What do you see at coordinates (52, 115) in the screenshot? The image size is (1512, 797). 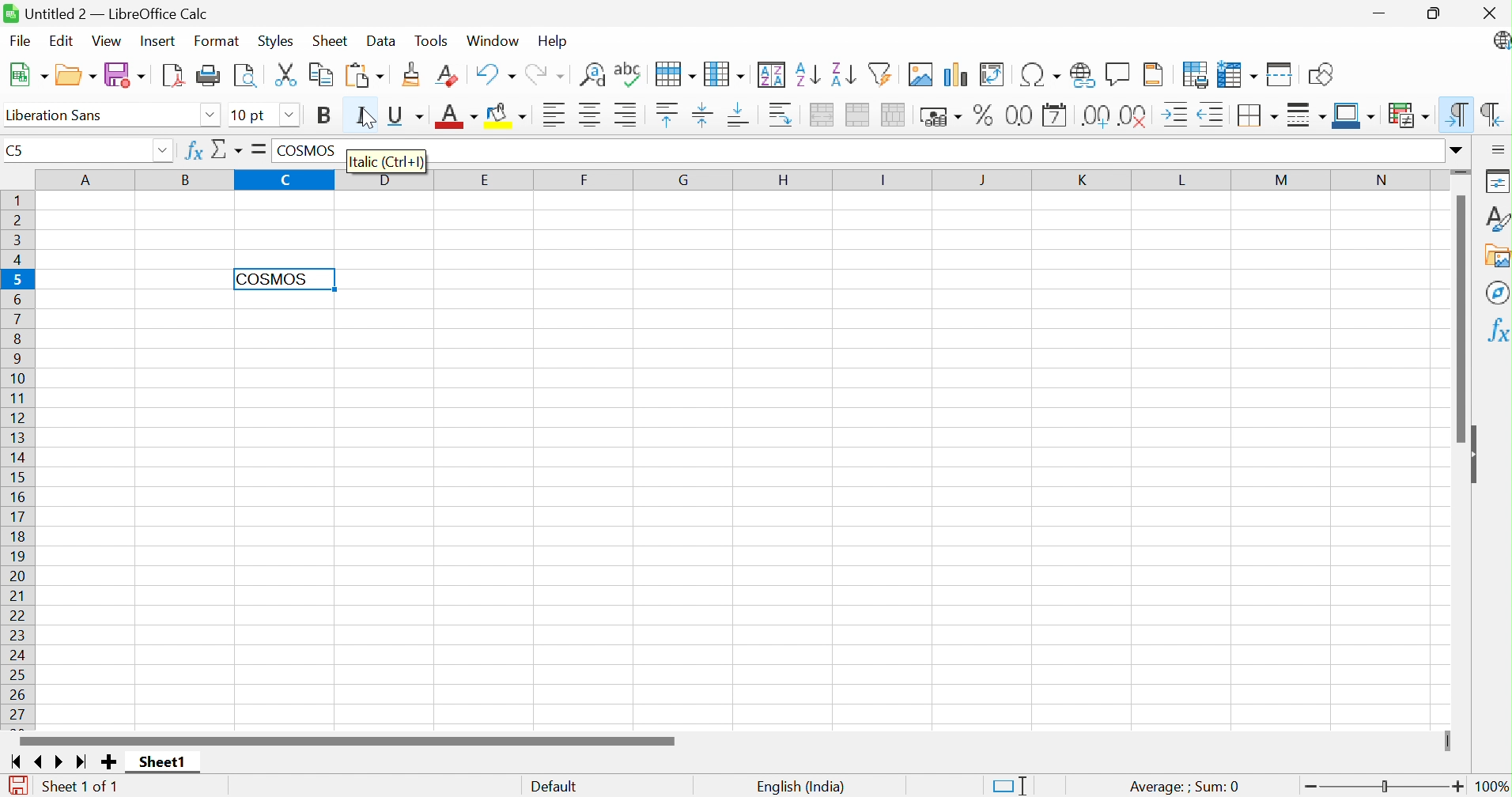 I see `Font name` at bounding box center [52, 115].